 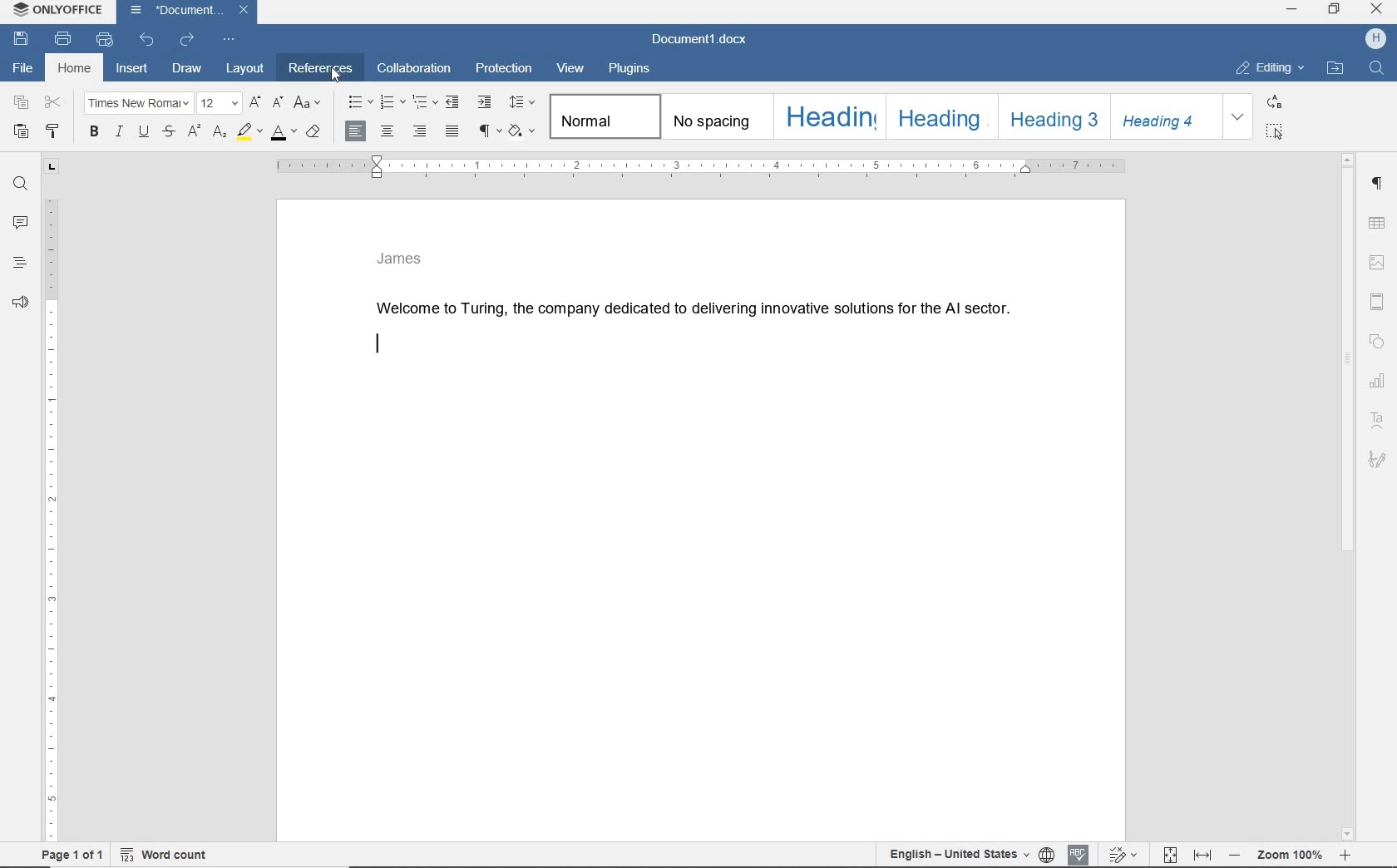 I want to click on align left, so click(x=355, y=131).